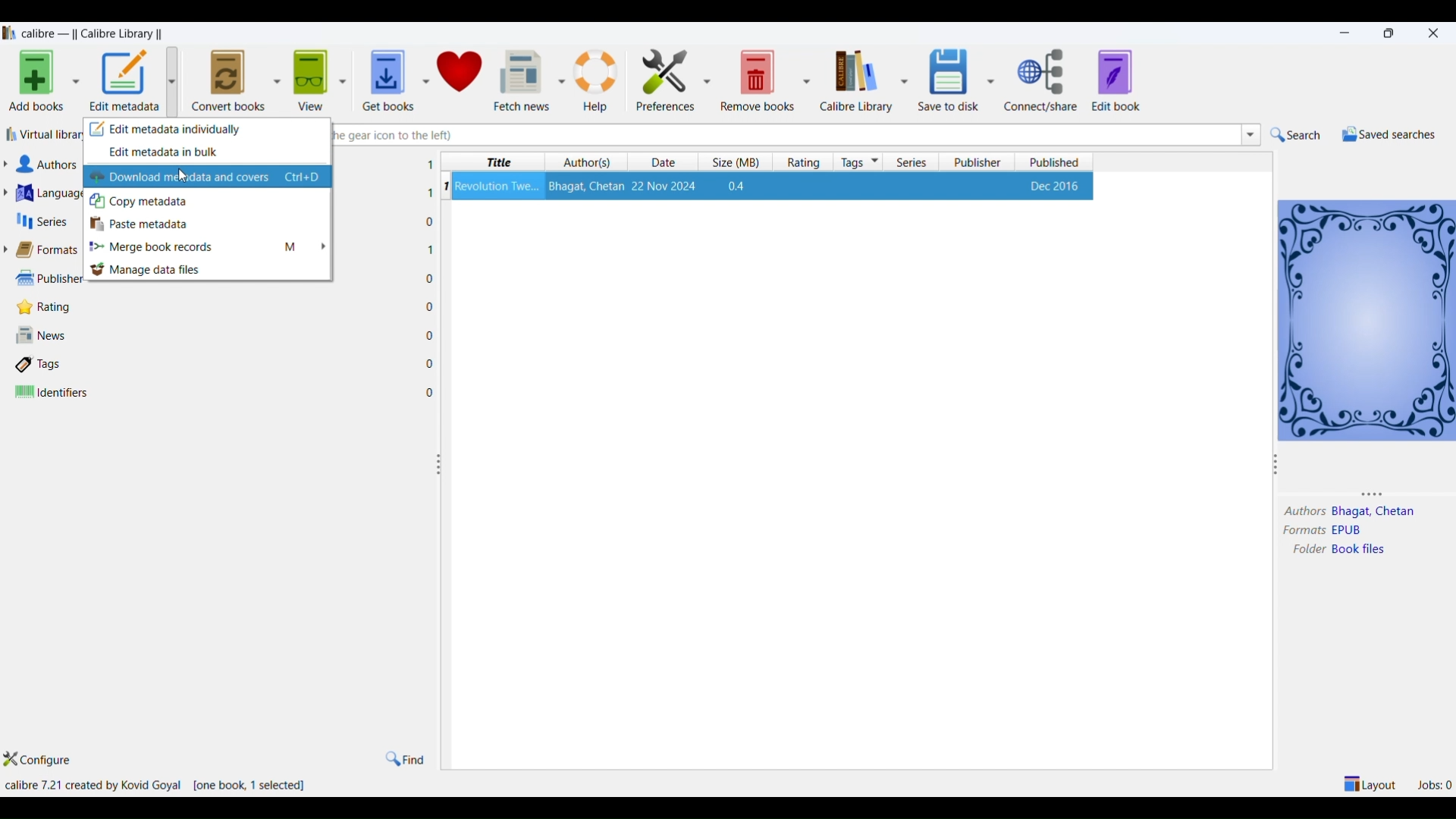 Image resolution: width=1456 pixels, height=819 pixels. Describe the element at coordinates (430, 306) in the screenshot. I see `0` at that location.